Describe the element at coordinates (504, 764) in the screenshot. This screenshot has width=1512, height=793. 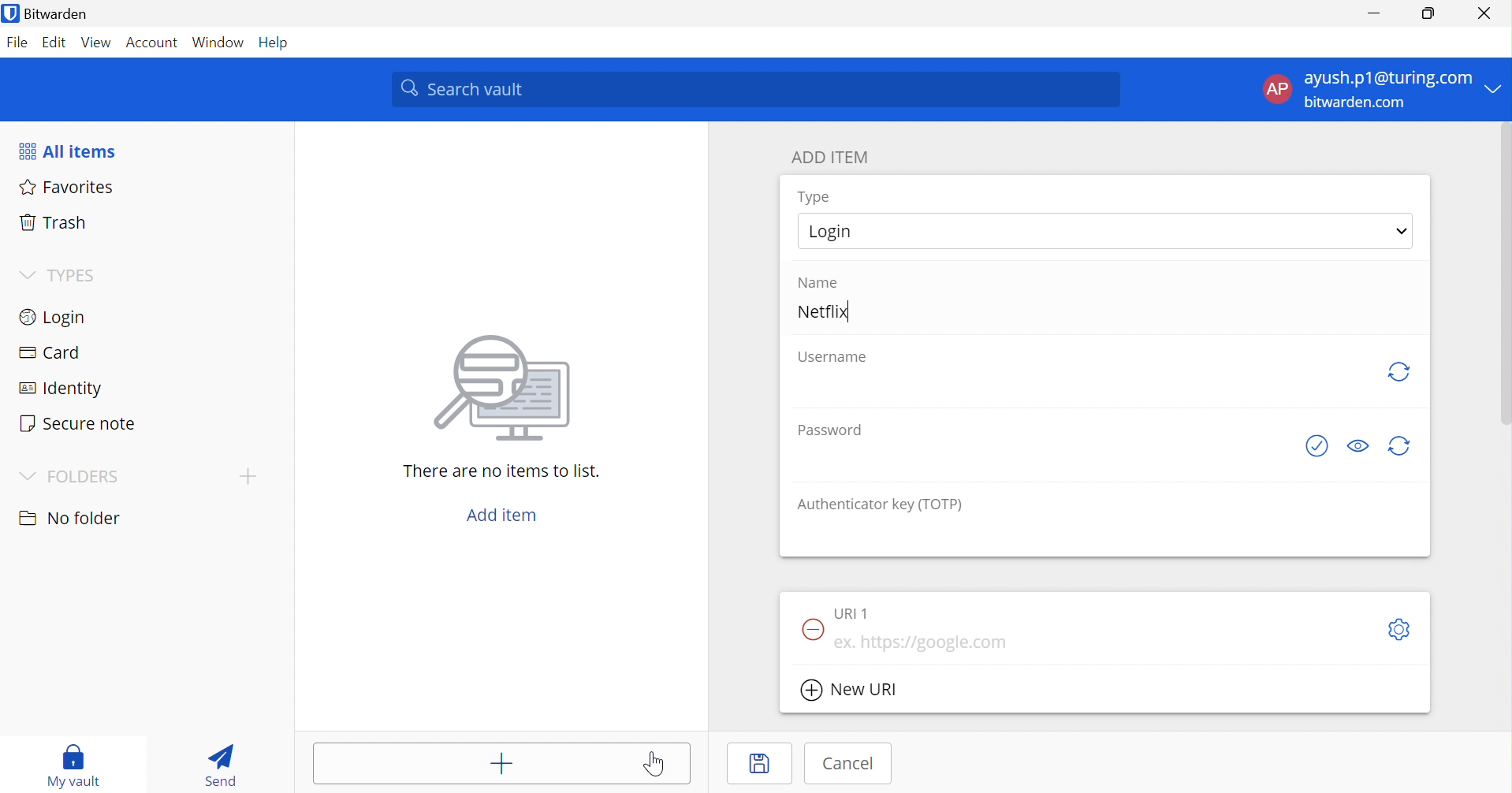
I see `Add item` at that location.